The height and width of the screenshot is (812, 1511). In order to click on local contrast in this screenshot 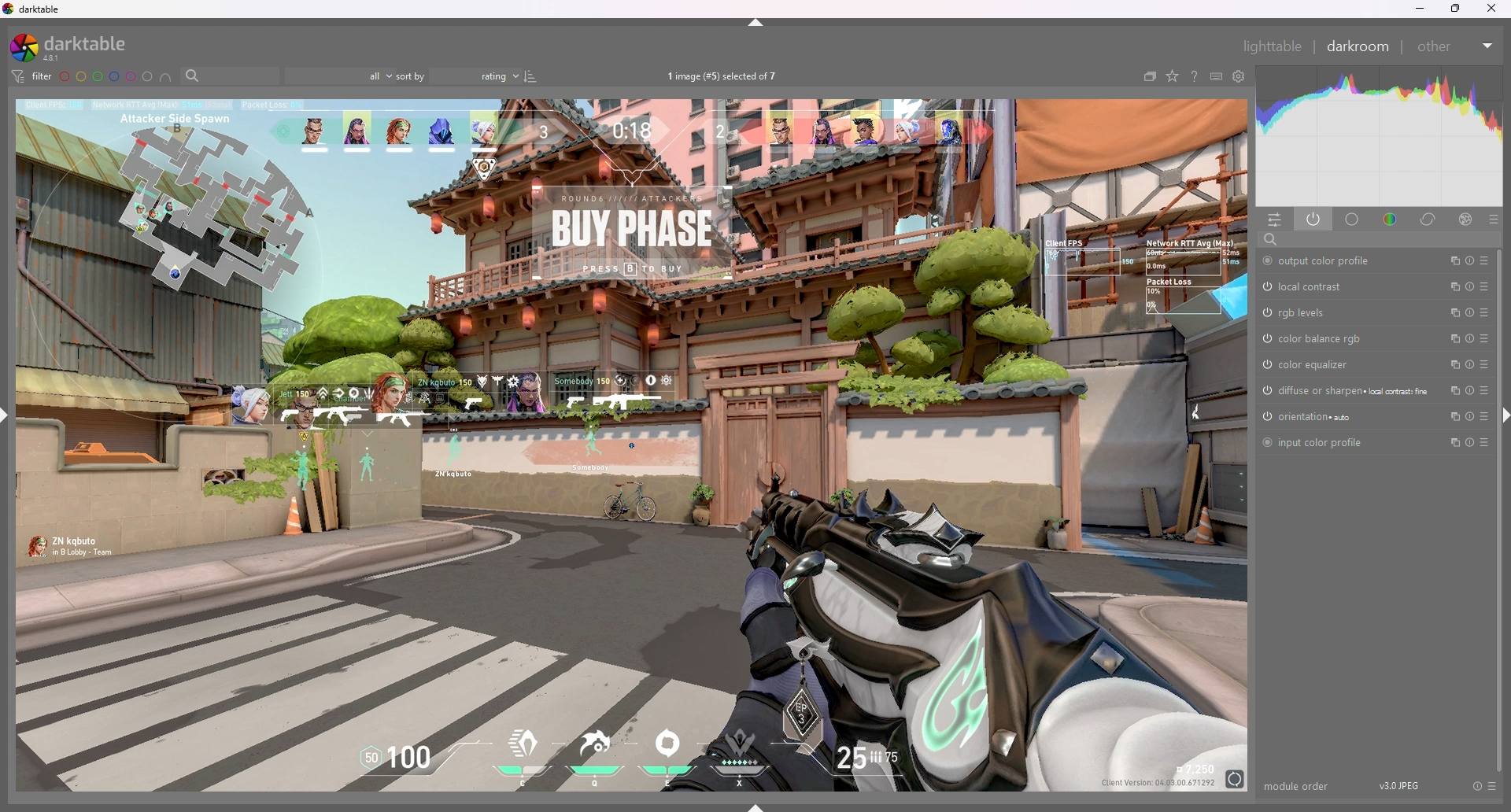, I will do `click(1308, 286)`.